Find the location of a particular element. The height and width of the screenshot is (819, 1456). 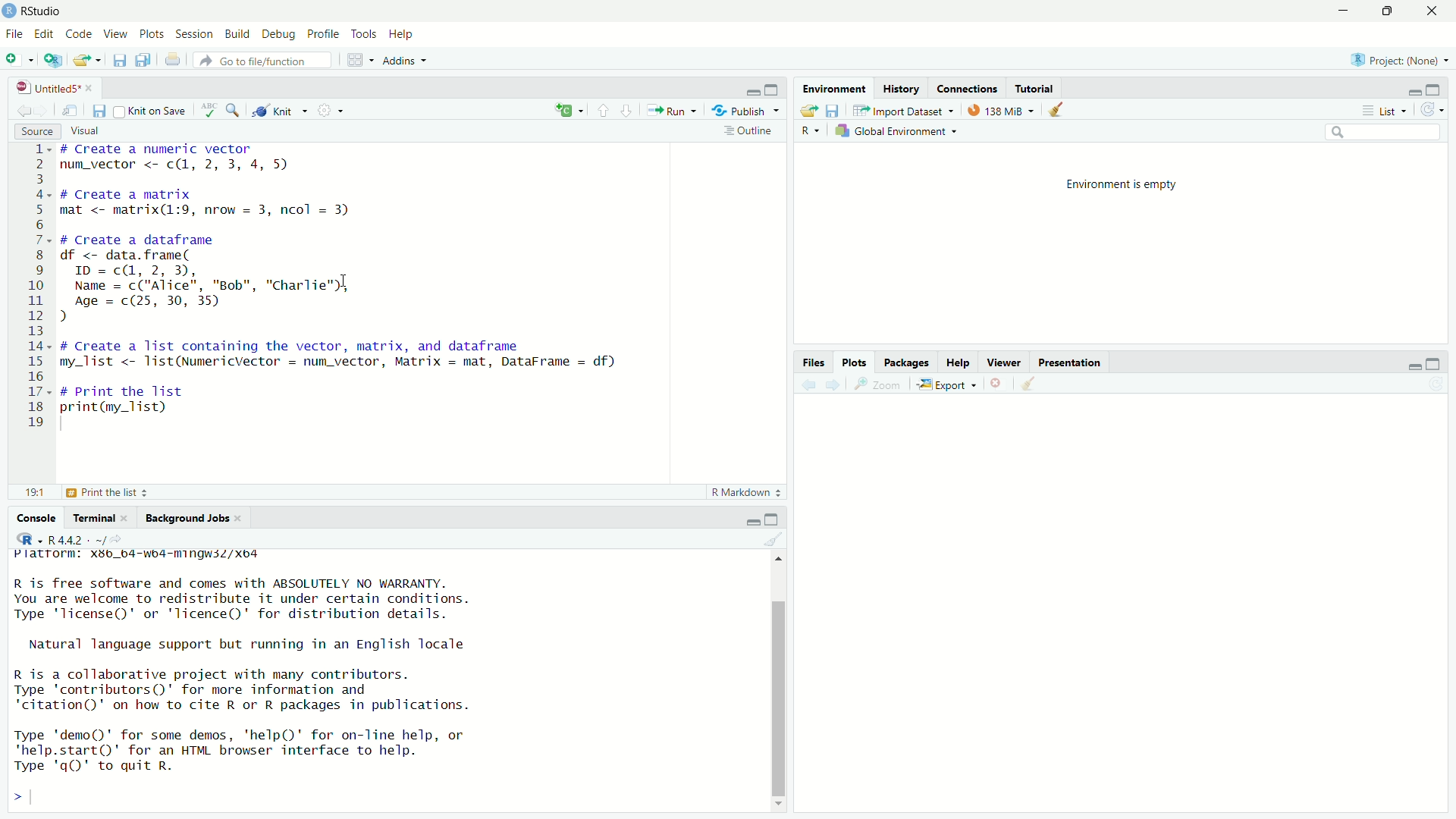

export is located at coordinates (806, 111).